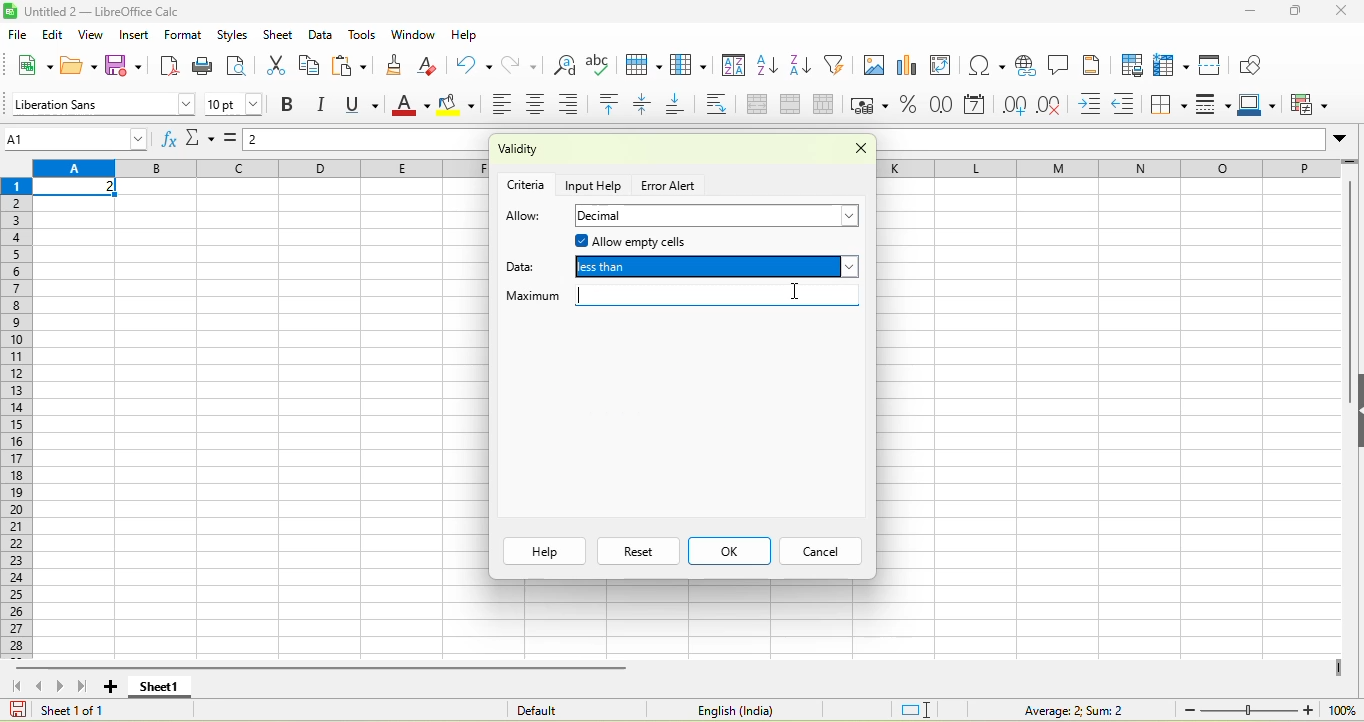 Image resolution: width=1364 pixels, height=722 pixels. I want to click on italics, so click(326, 105).